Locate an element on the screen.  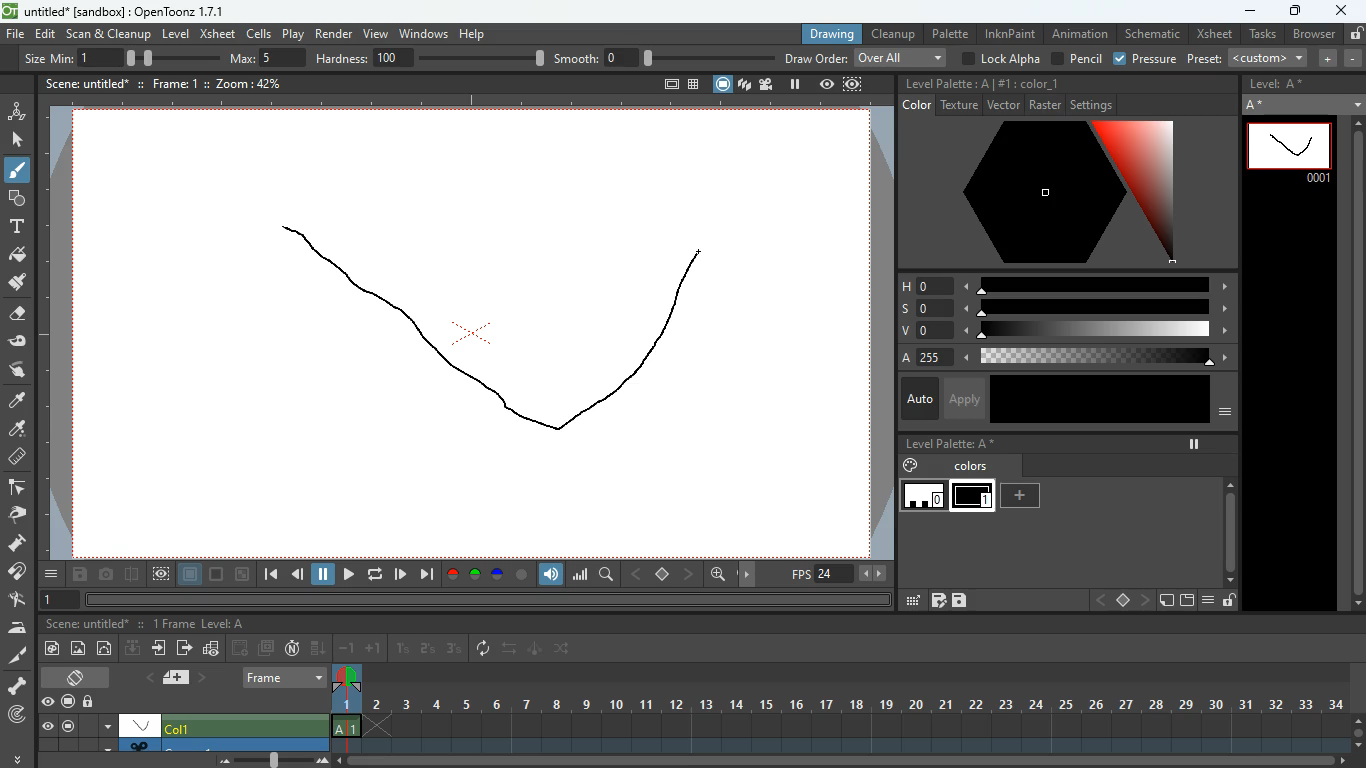
frame is located at coordinates (166, 82).